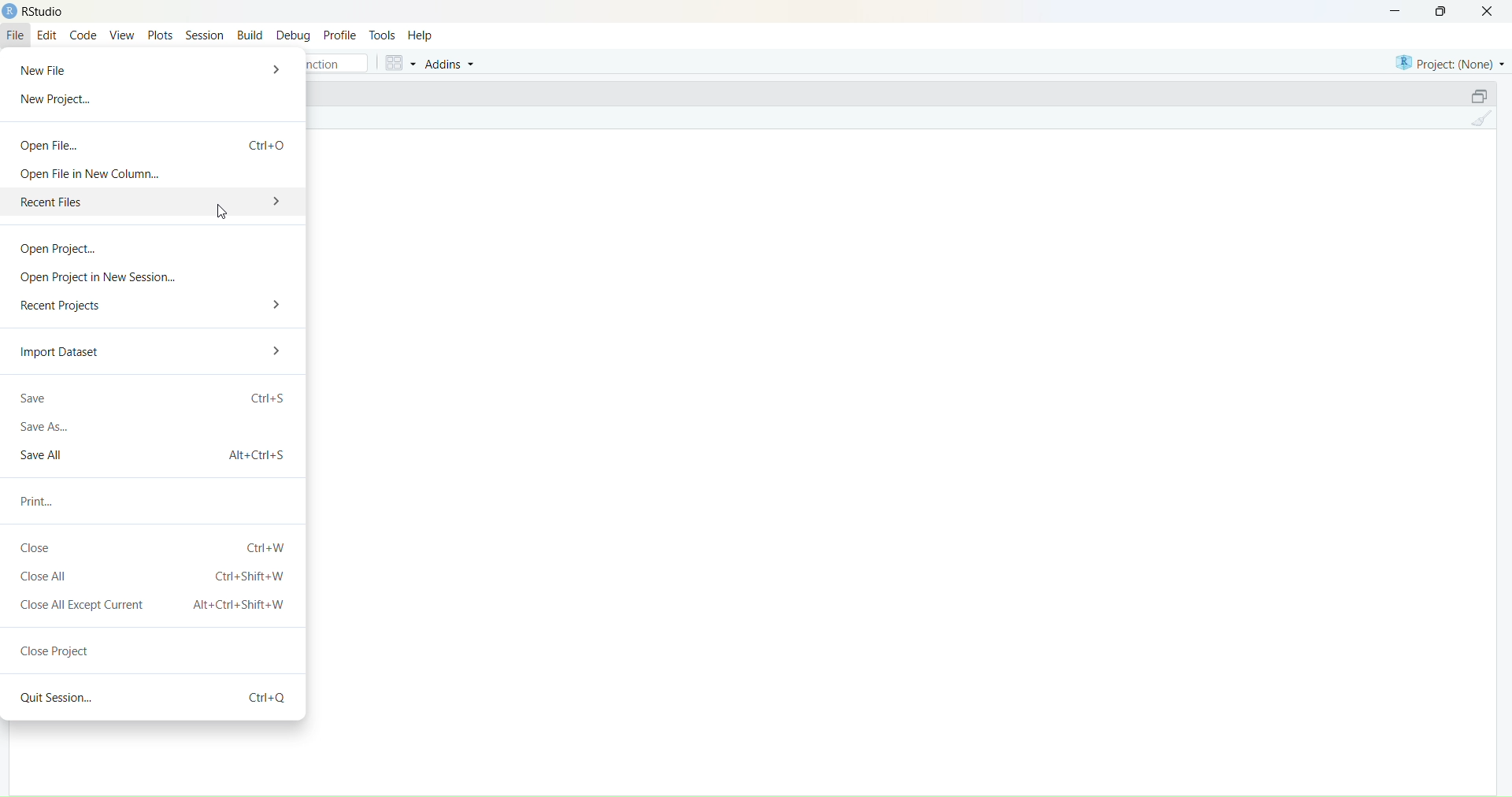 Image resolution: width=1512 pixels, height=797 pixels. What do you see at coordinates (58, 100) in the screenshot?
I see `New Project...` at bounding box center [58, 100].